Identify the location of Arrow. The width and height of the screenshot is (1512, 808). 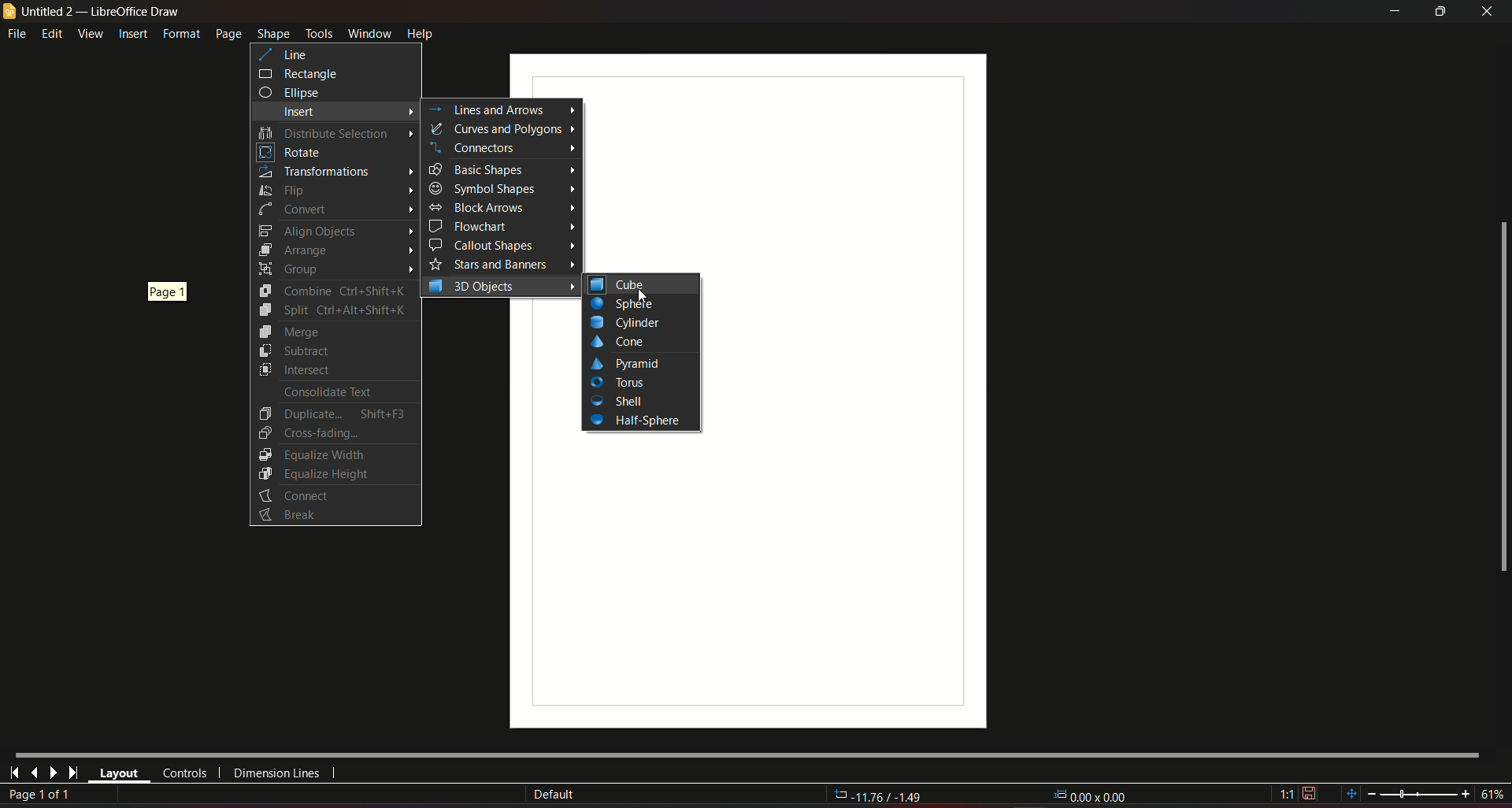
(573, 149).